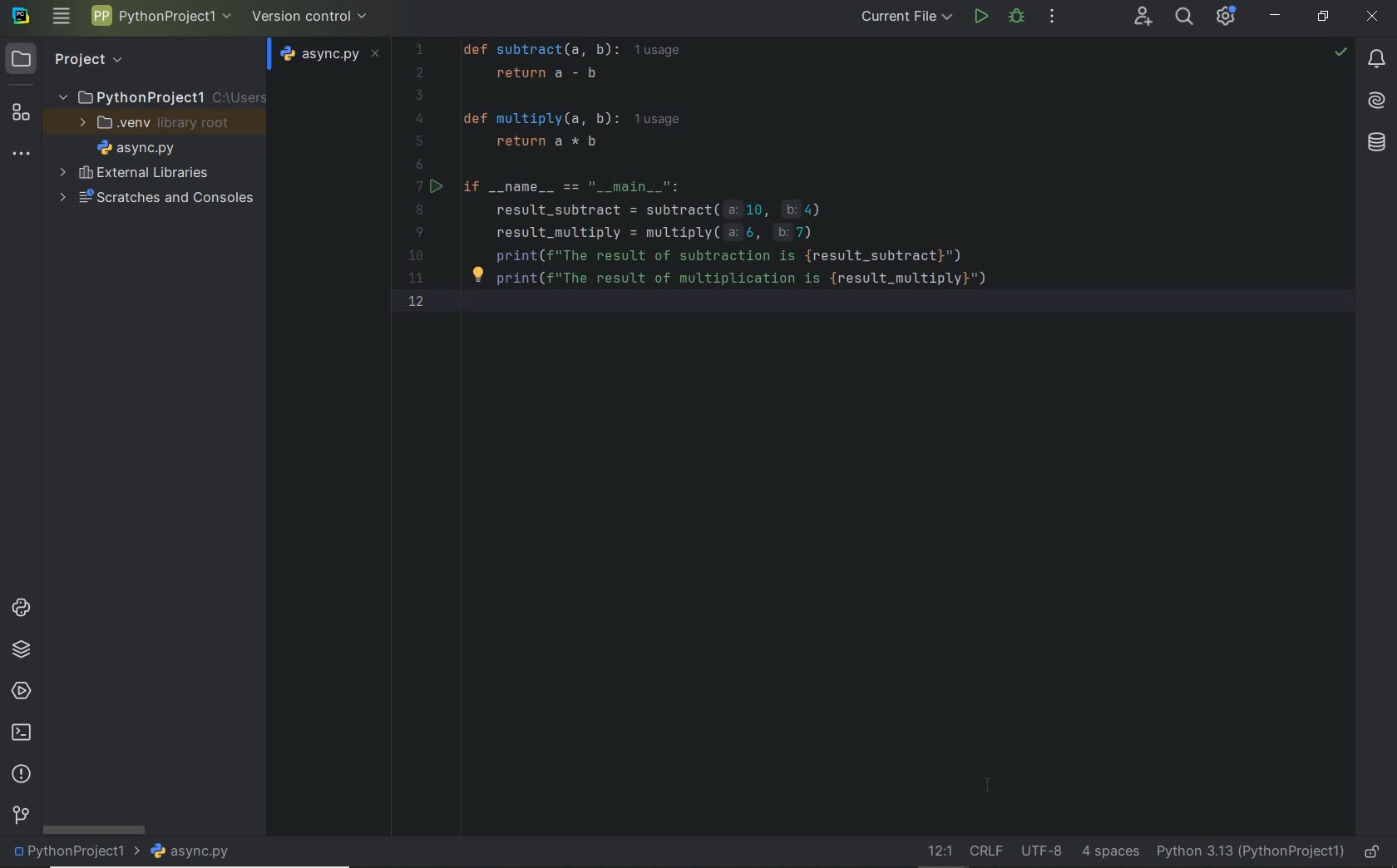 This screenshot has height=868, width=1397. What do you see at coordinates (22, 150) in the screenshot?
I see `More tool windows` at bounding box center [22, 150].